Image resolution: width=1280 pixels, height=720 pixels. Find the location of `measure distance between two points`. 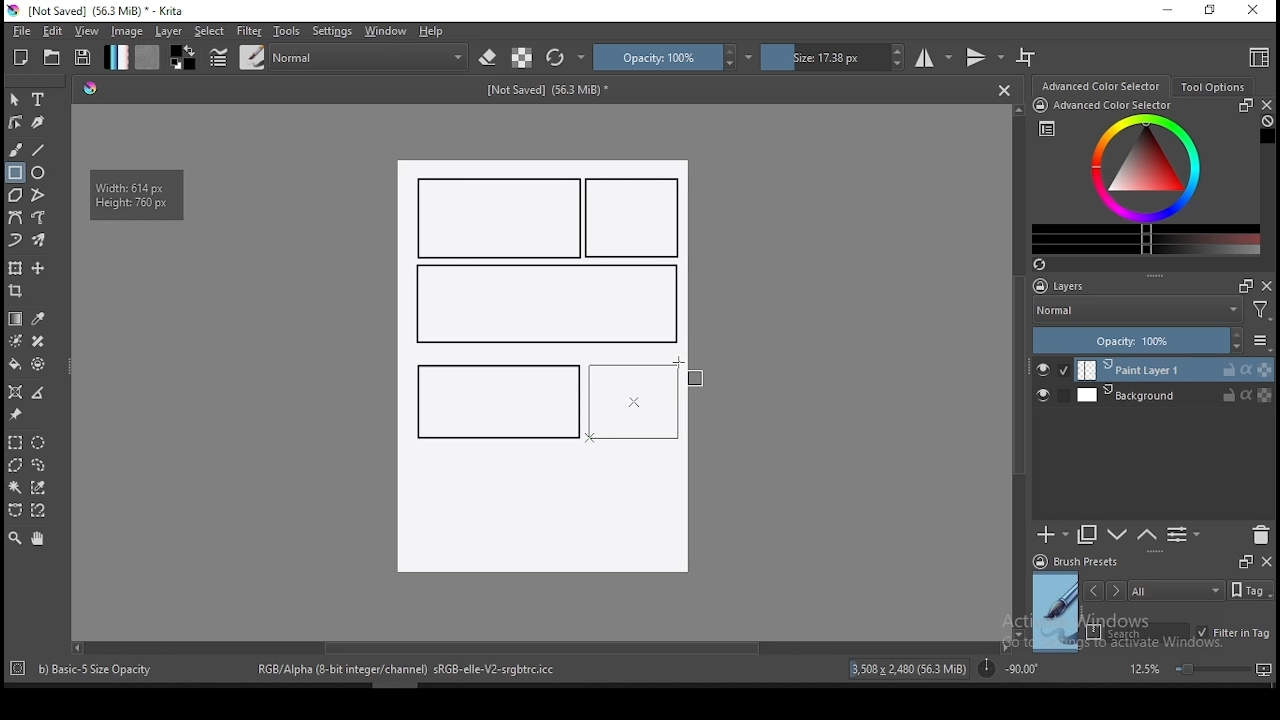

measure distance between two points is located at coordinates (39, 394).